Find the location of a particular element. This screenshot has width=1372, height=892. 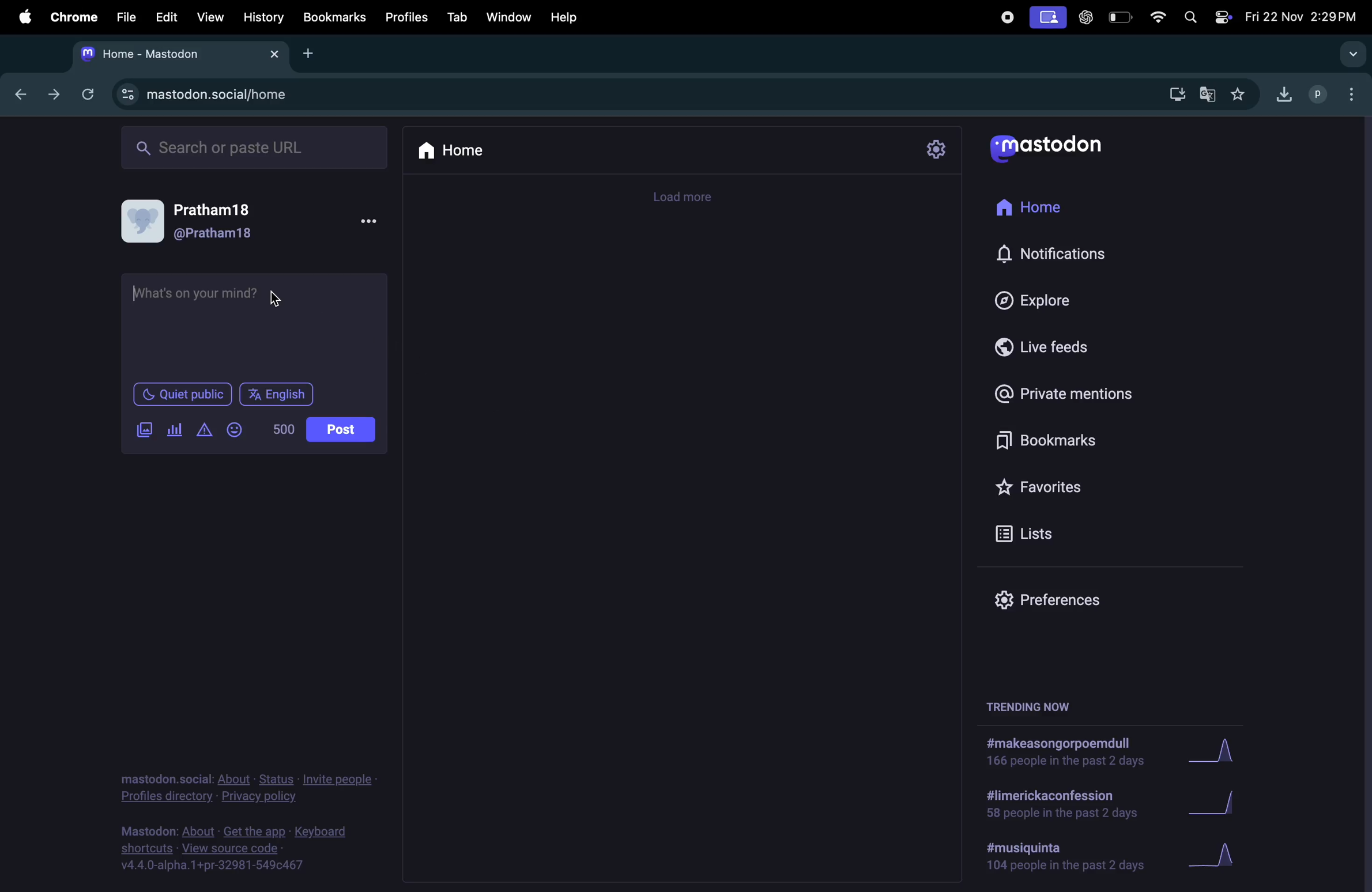

live feed is located at coordinates (1060, 345).